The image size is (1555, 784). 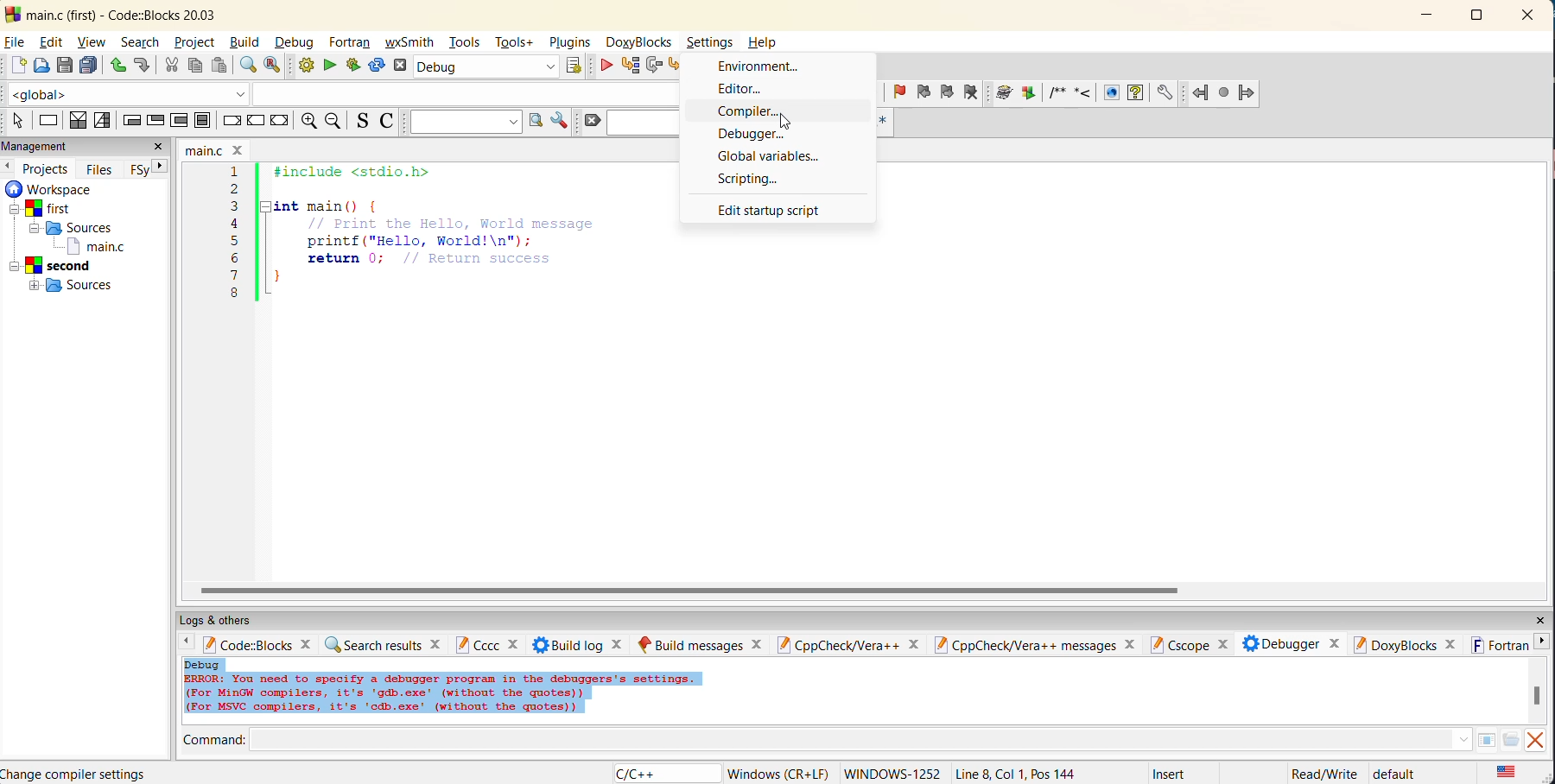 What do you see at coordinates (637, 774) in the screenshot?
I see `language` at bounding box center [637, 774].